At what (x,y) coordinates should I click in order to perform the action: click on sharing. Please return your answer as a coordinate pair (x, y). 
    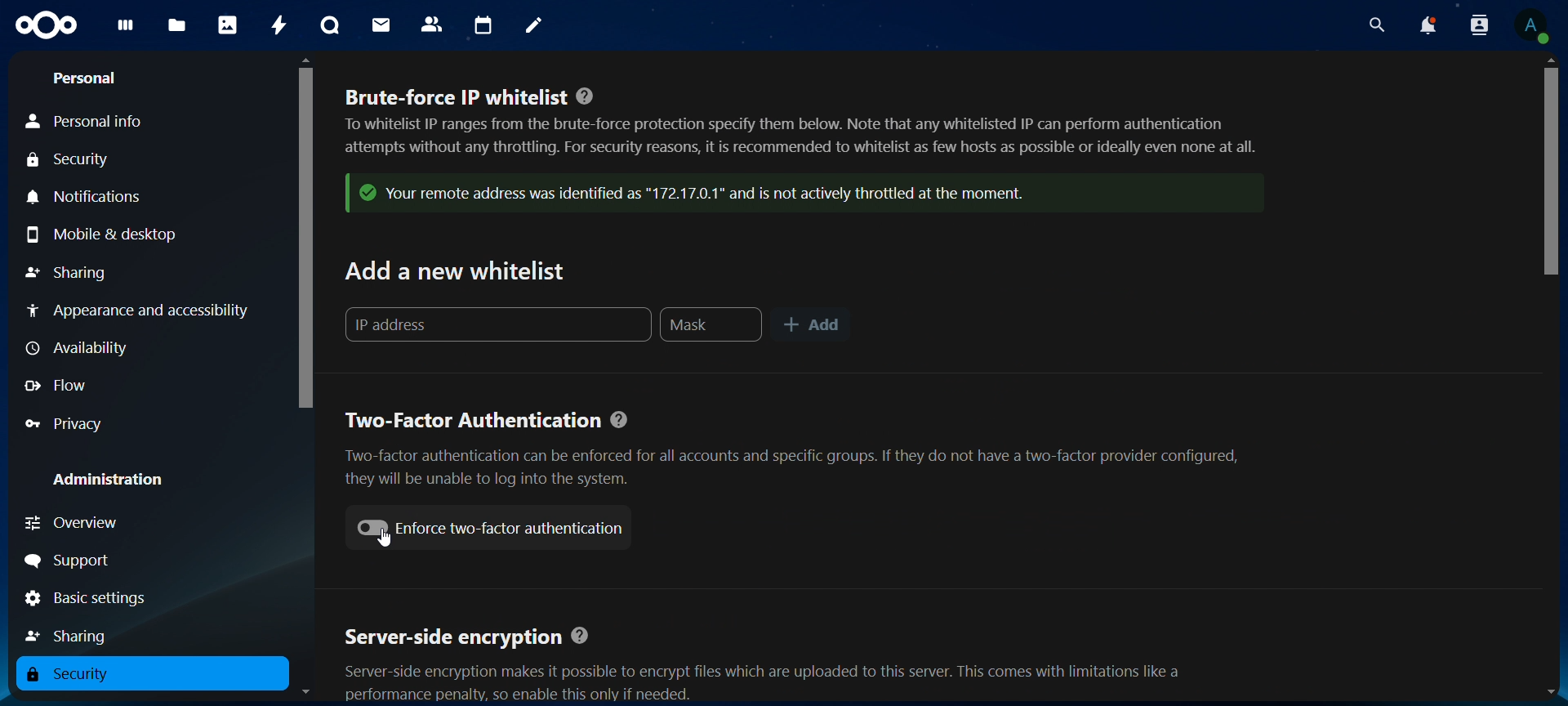
    Looking at the image, I should click on (68, 272).